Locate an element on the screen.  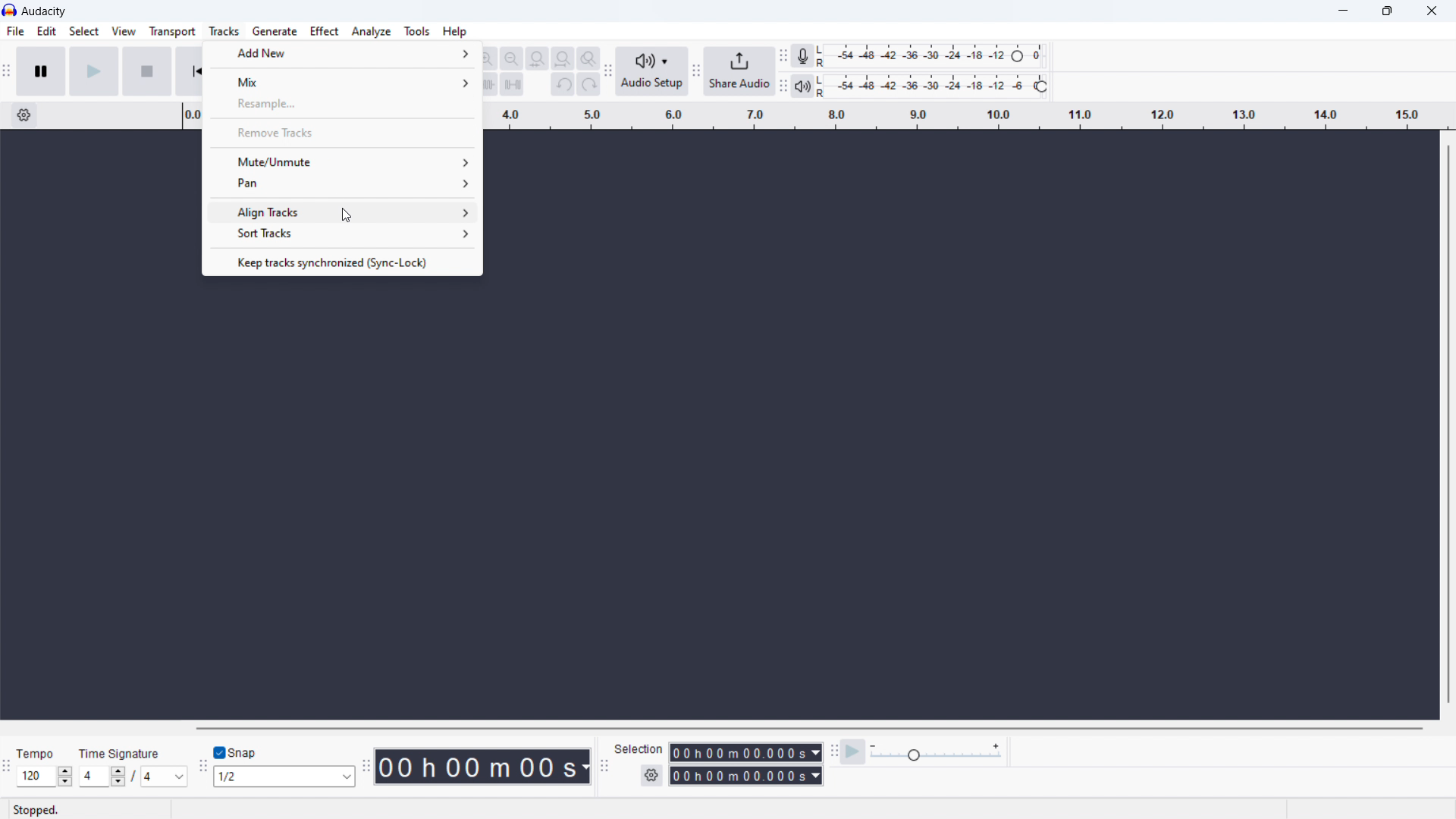
tools is located at coordinates (417, 31).